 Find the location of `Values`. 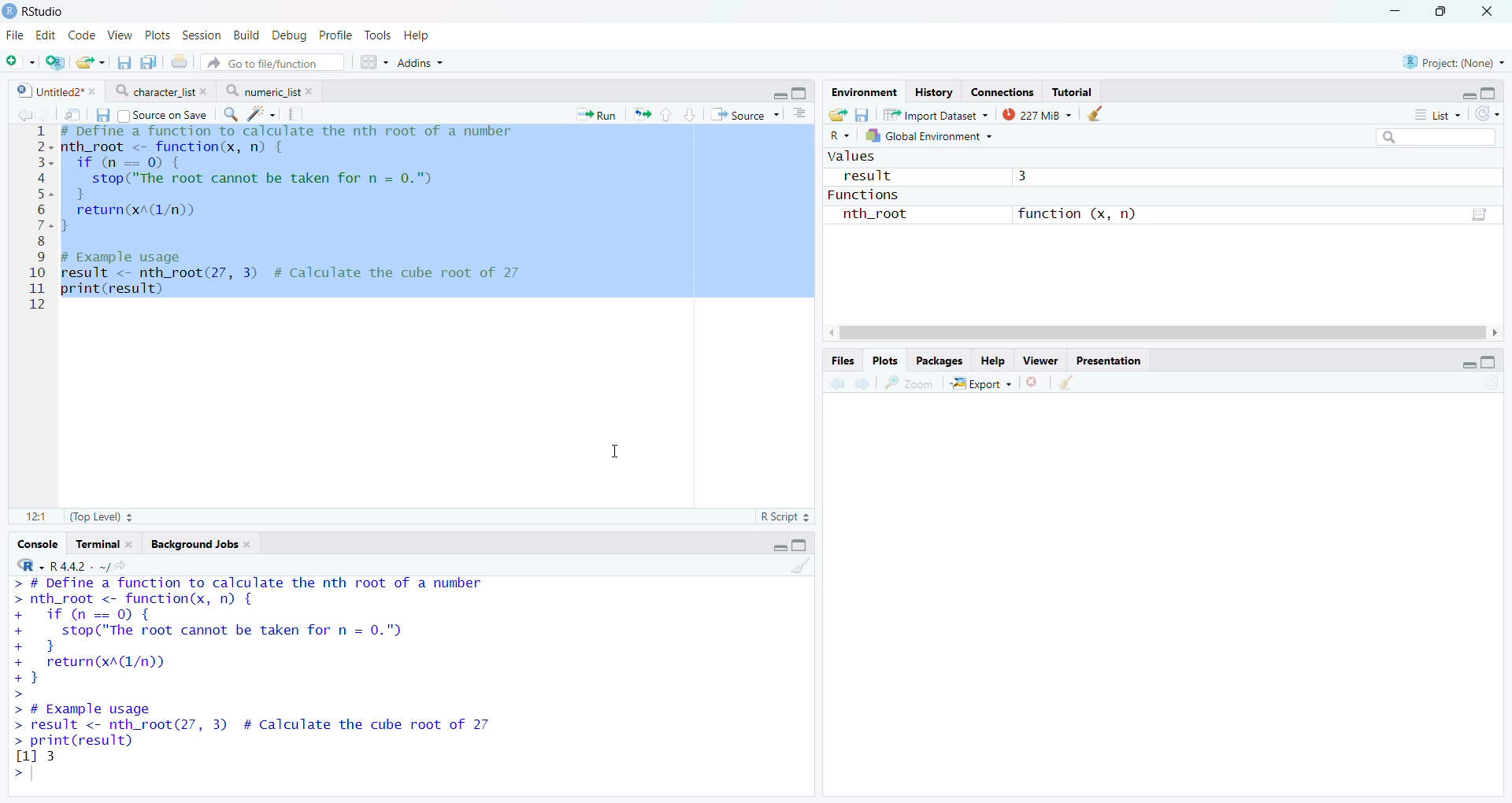

Values is located at coordinates (859, 156).